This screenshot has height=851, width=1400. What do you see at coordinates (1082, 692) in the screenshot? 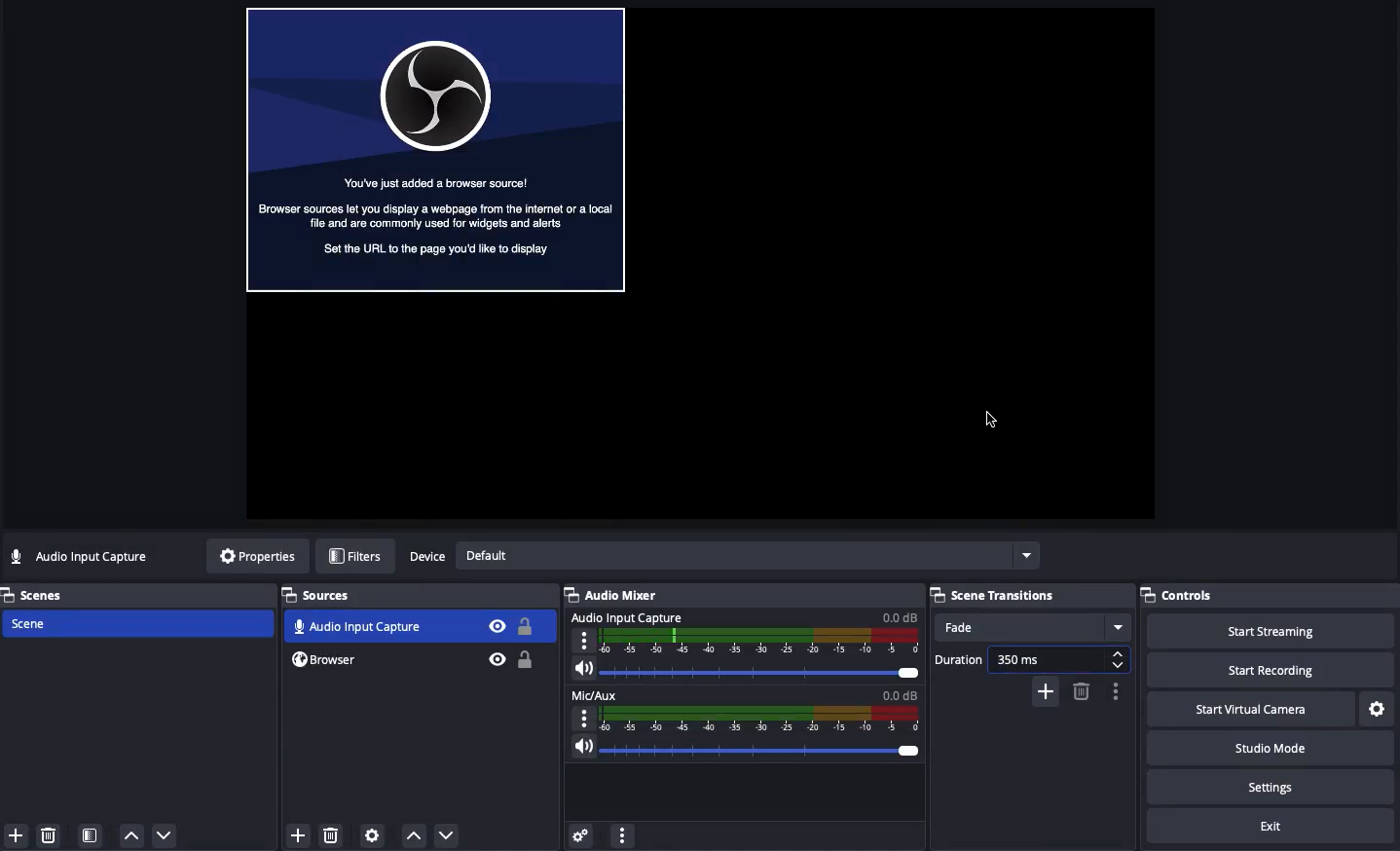
I see `Remove` at bounding box center [1082, 692].